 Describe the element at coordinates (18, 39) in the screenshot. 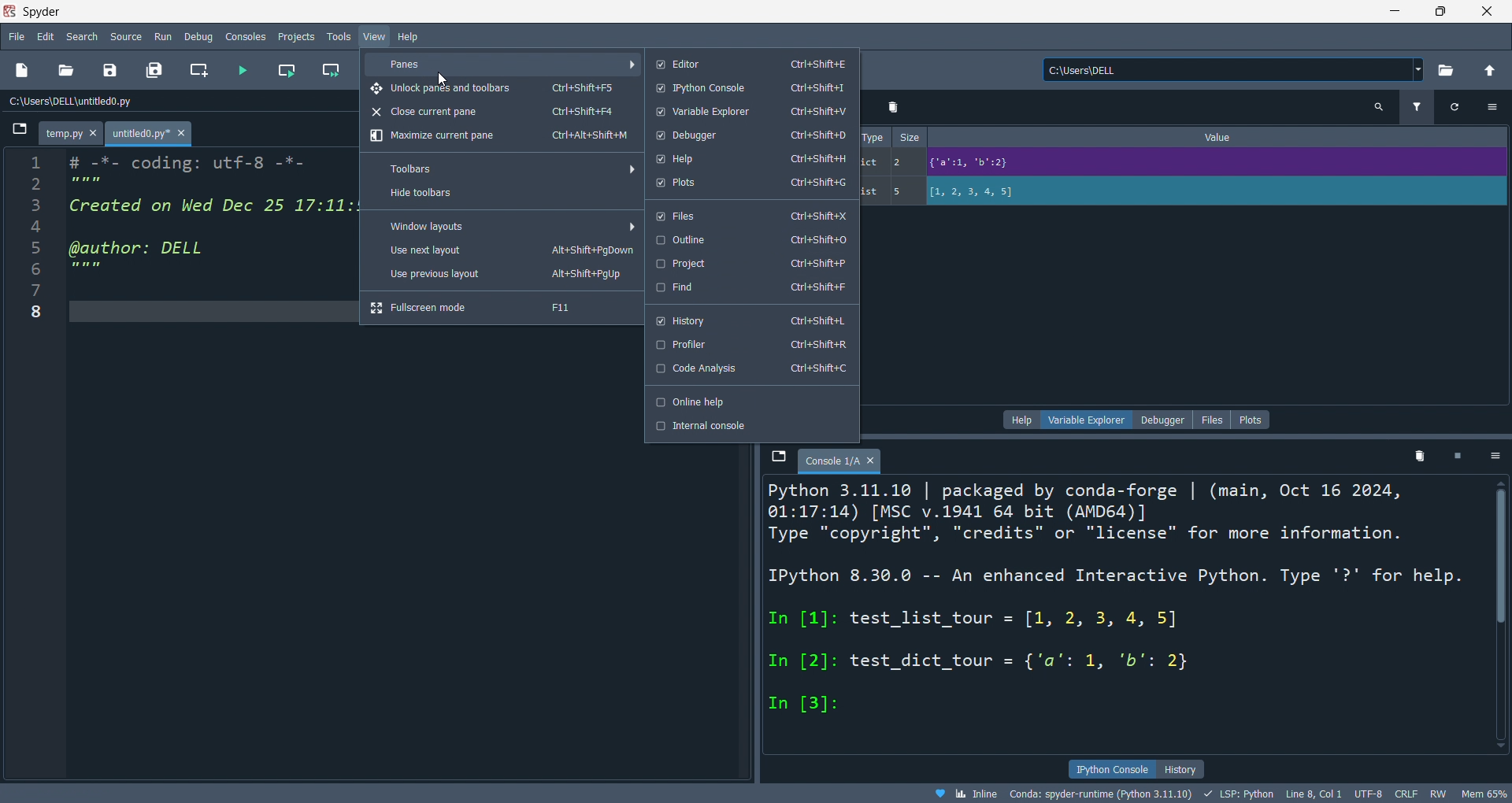

I see `file` at that location.